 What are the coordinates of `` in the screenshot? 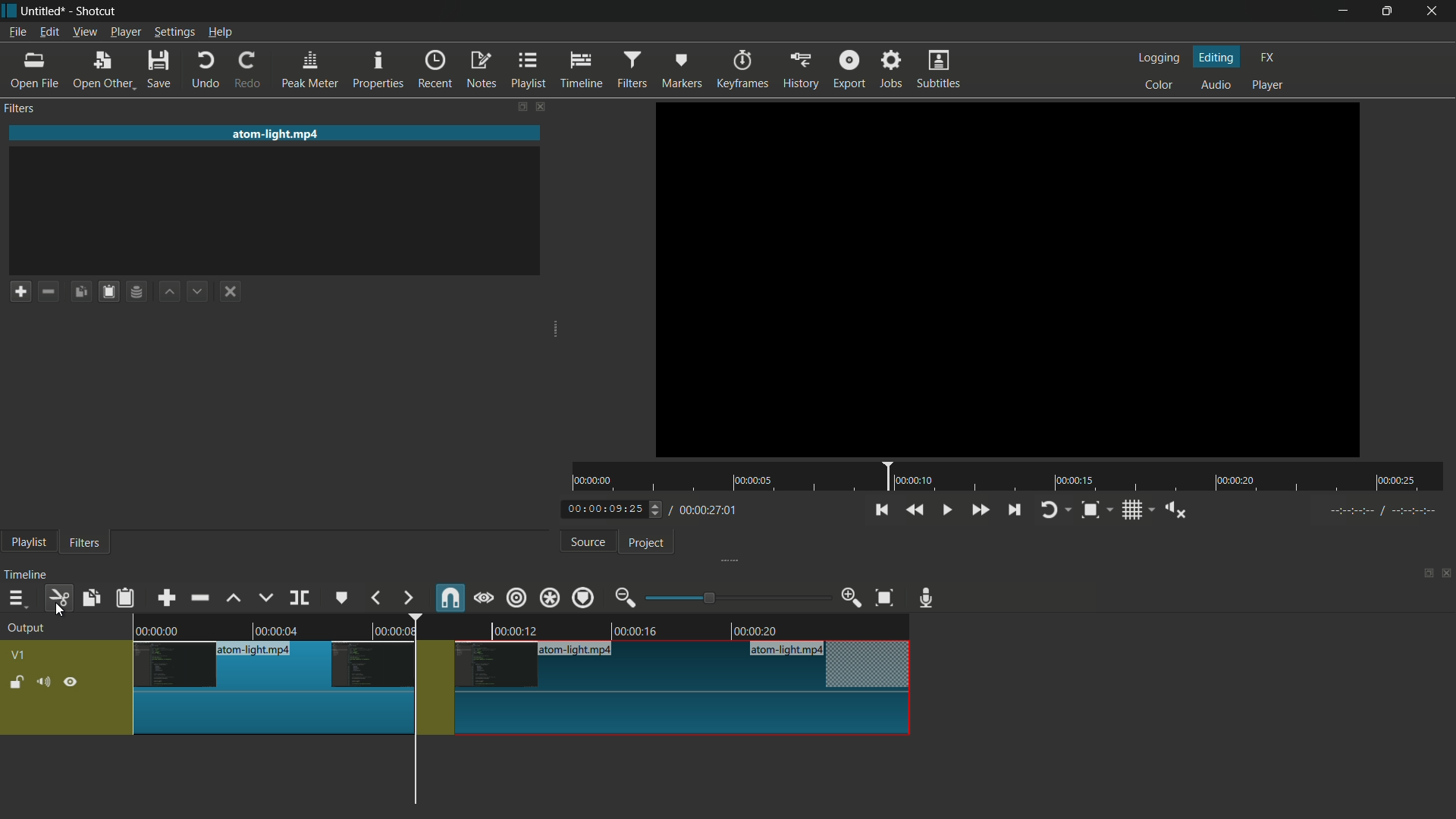 It's located at (519, 666).